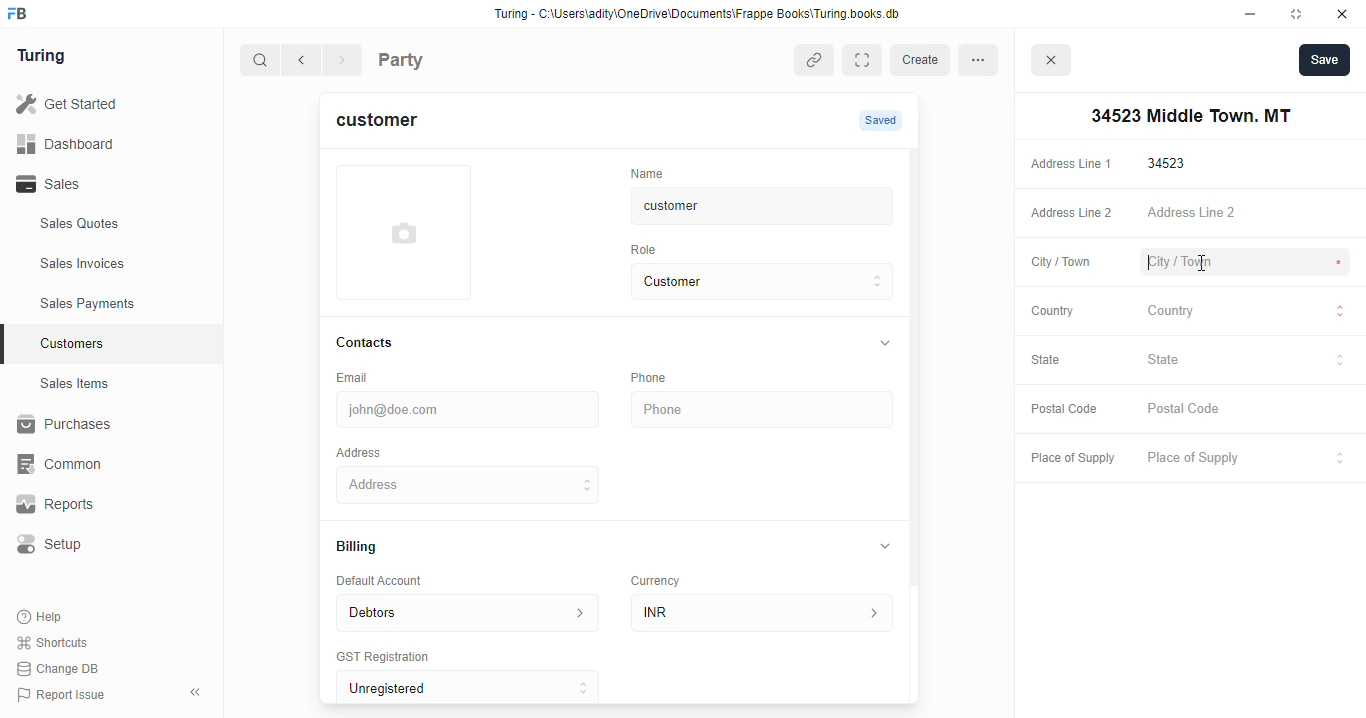 The height and width of the screenshot is (718, 1366). Describe the element at coordinates (1070, 162) in the screenshot. I see `Address Line 1` at that location.